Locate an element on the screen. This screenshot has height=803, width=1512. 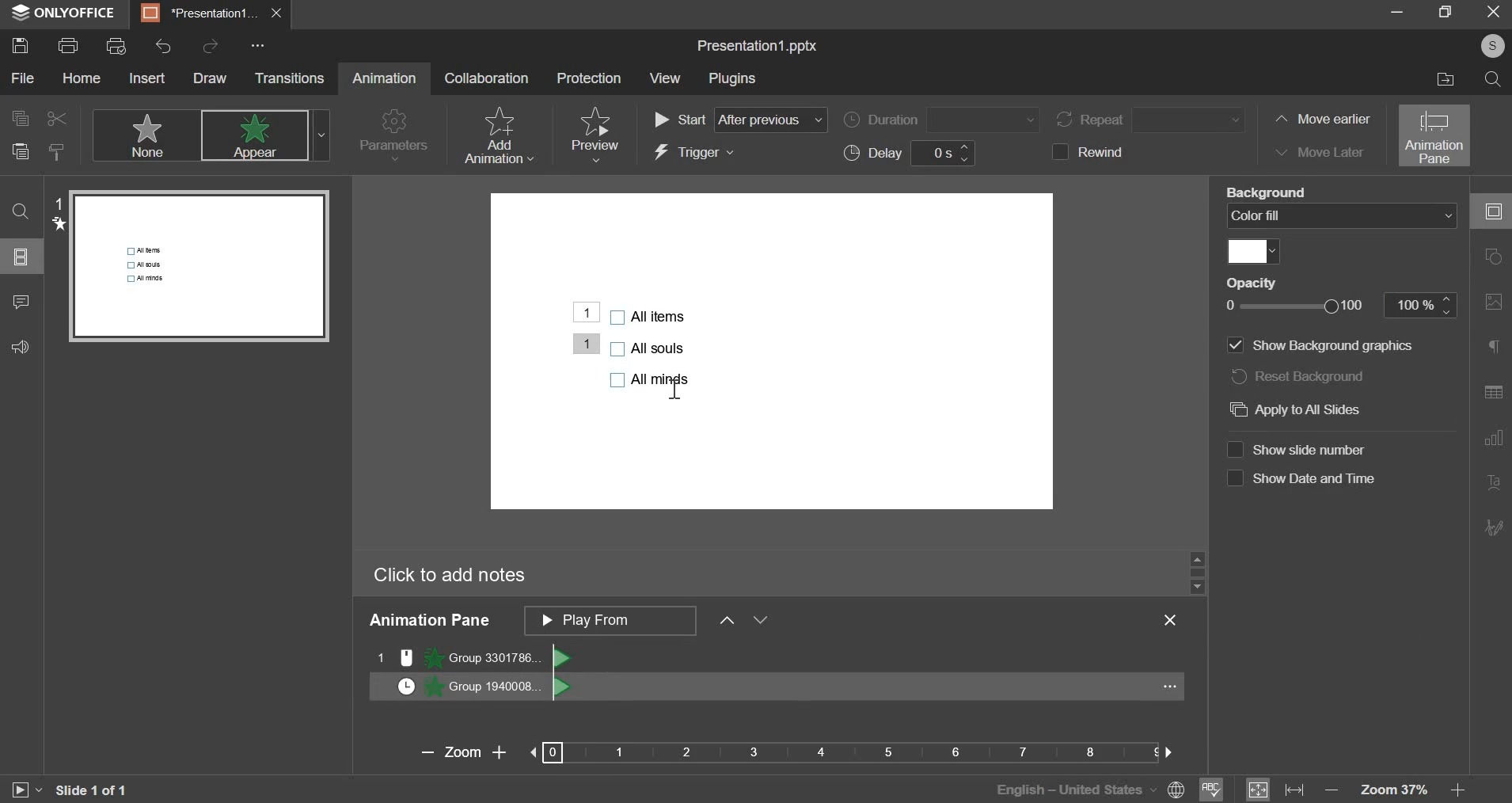
animation pane order is located at coordinates (610, 620).